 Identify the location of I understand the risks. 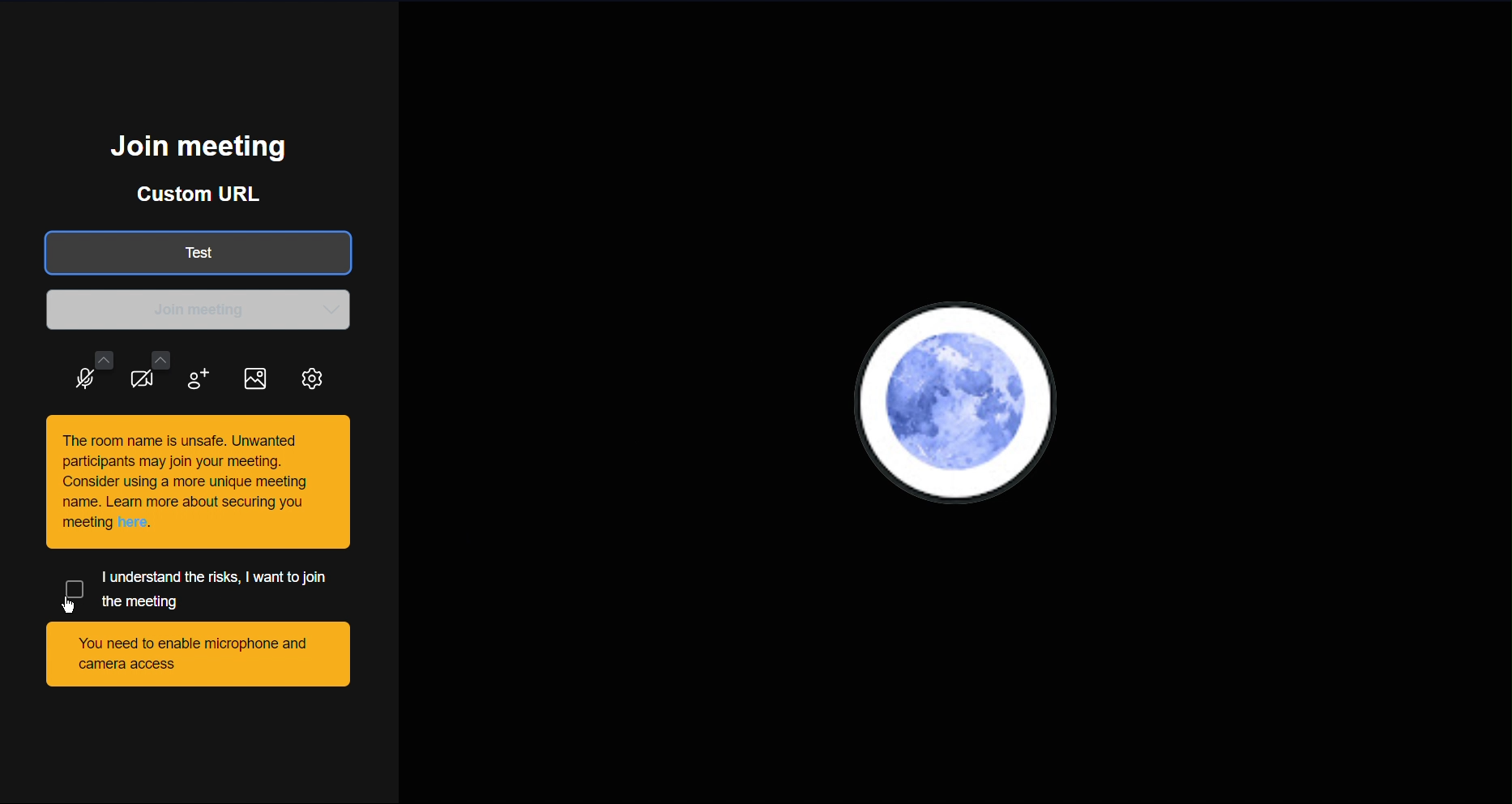
(217, 588).